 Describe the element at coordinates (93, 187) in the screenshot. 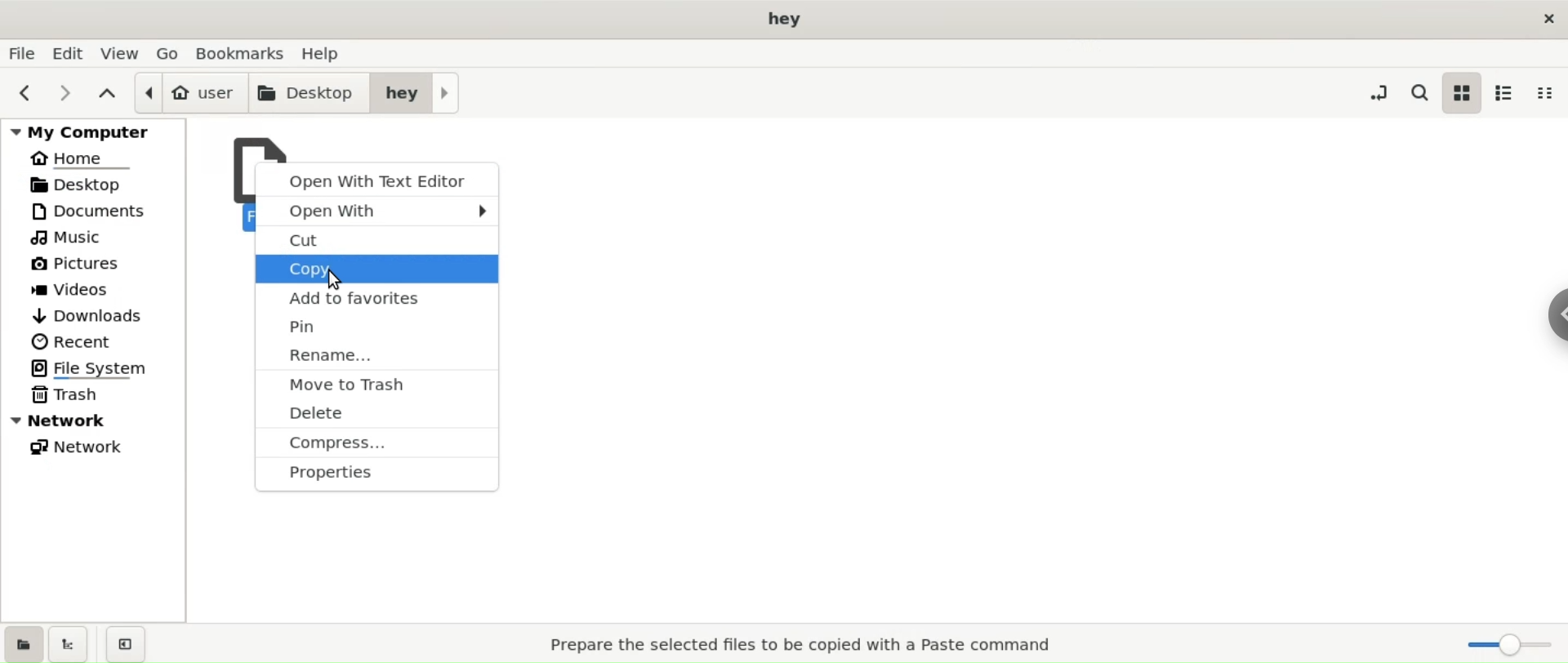

I see `desktop` at that location.